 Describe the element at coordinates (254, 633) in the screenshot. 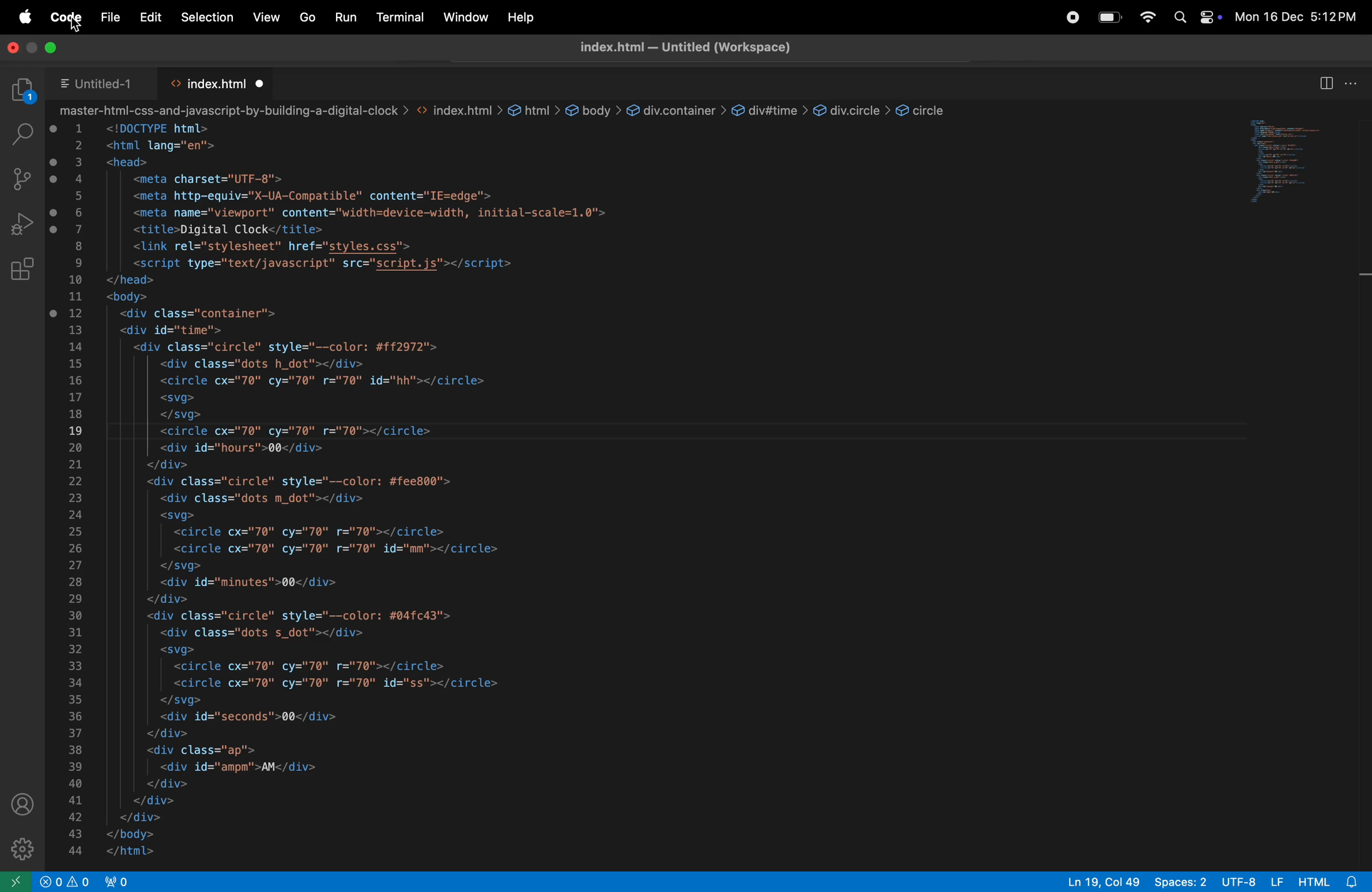

I see `<div class="dots s_dot"></div>` at that location.